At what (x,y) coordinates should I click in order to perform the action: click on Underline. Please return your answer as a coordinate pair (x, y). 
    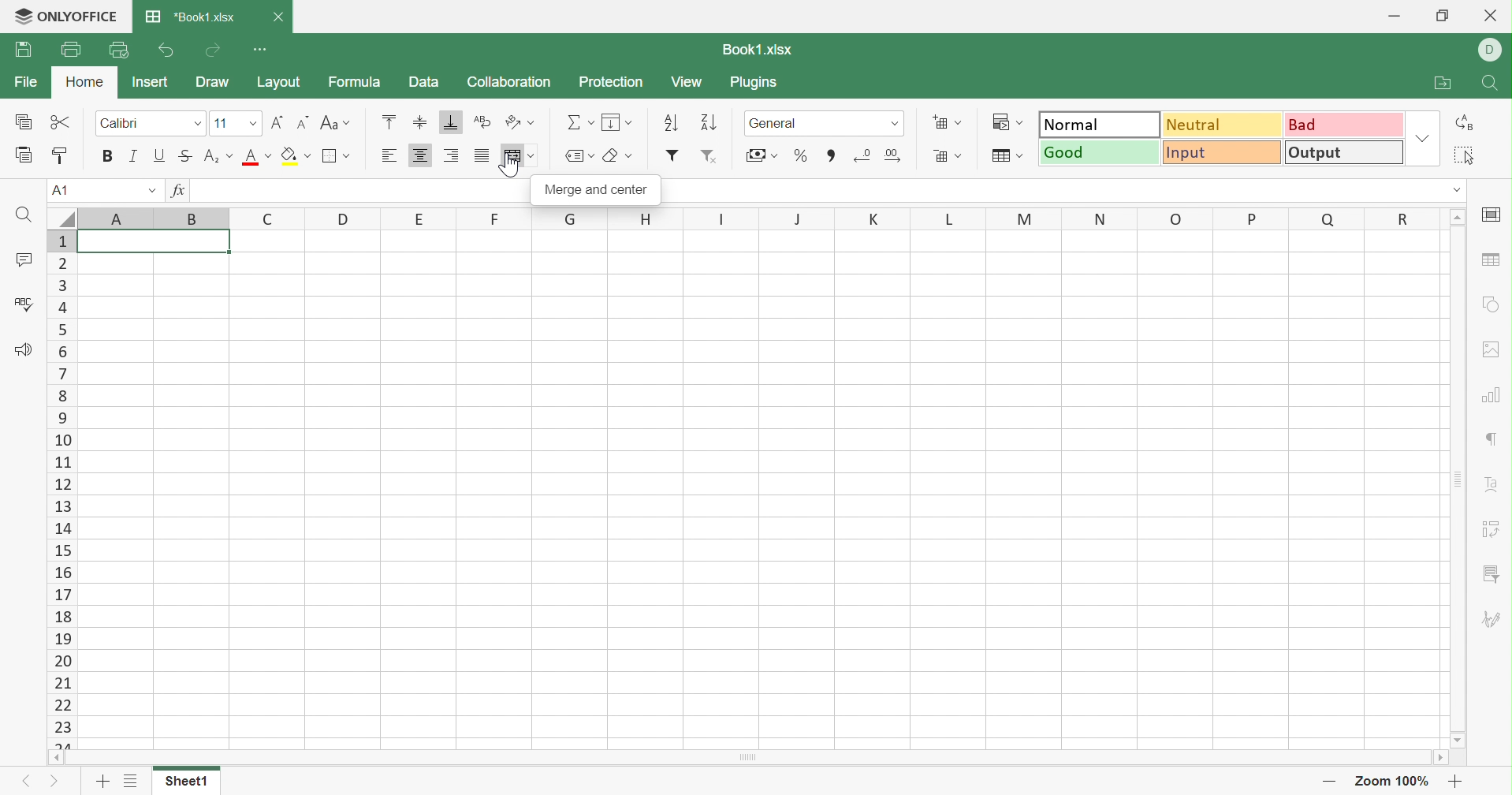
    Looking at the image, I should click on (160, 157).